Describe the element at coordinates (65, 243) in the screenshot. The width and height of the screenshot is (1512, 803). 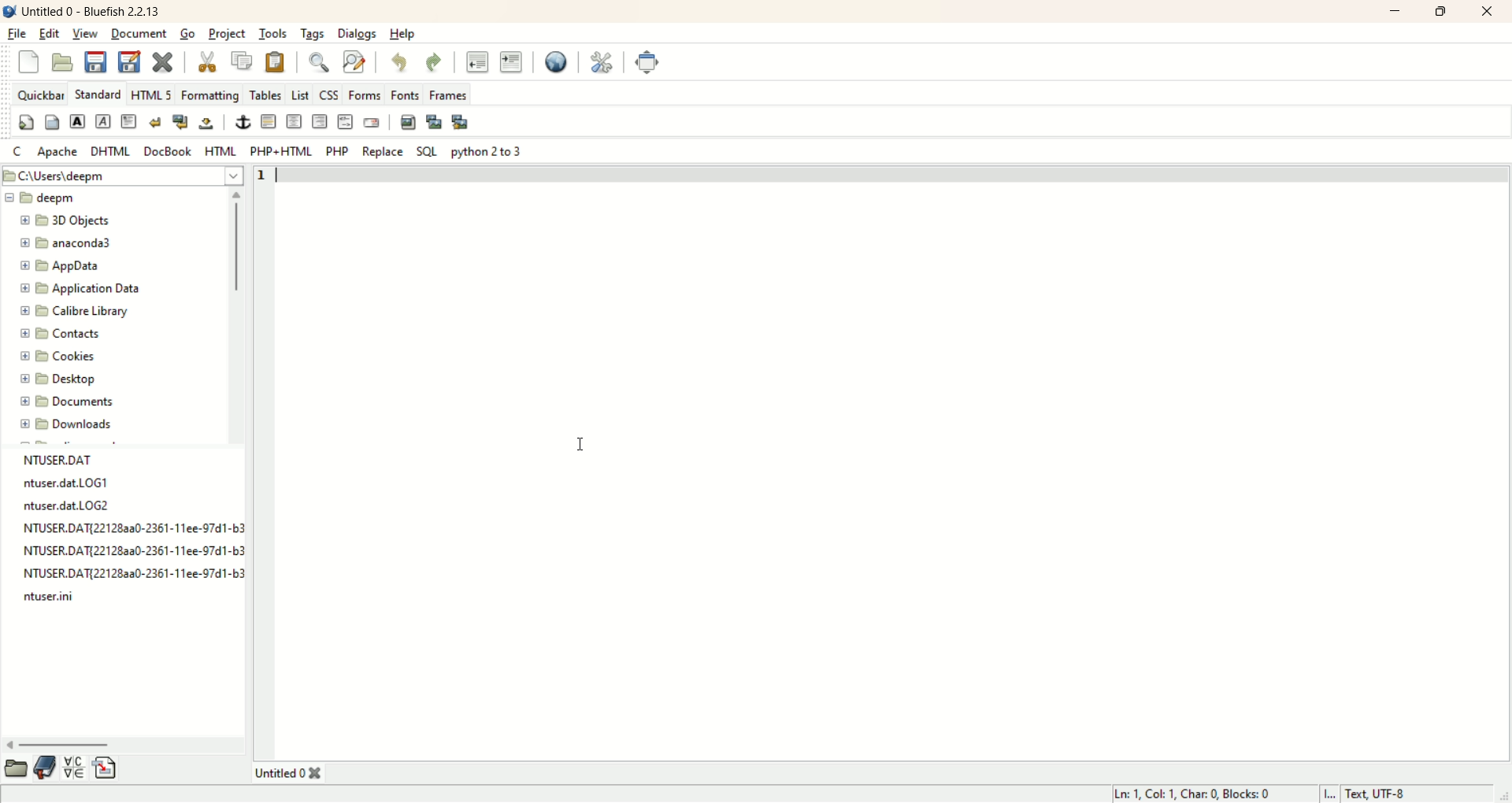
I see `anaconda3` at that location.